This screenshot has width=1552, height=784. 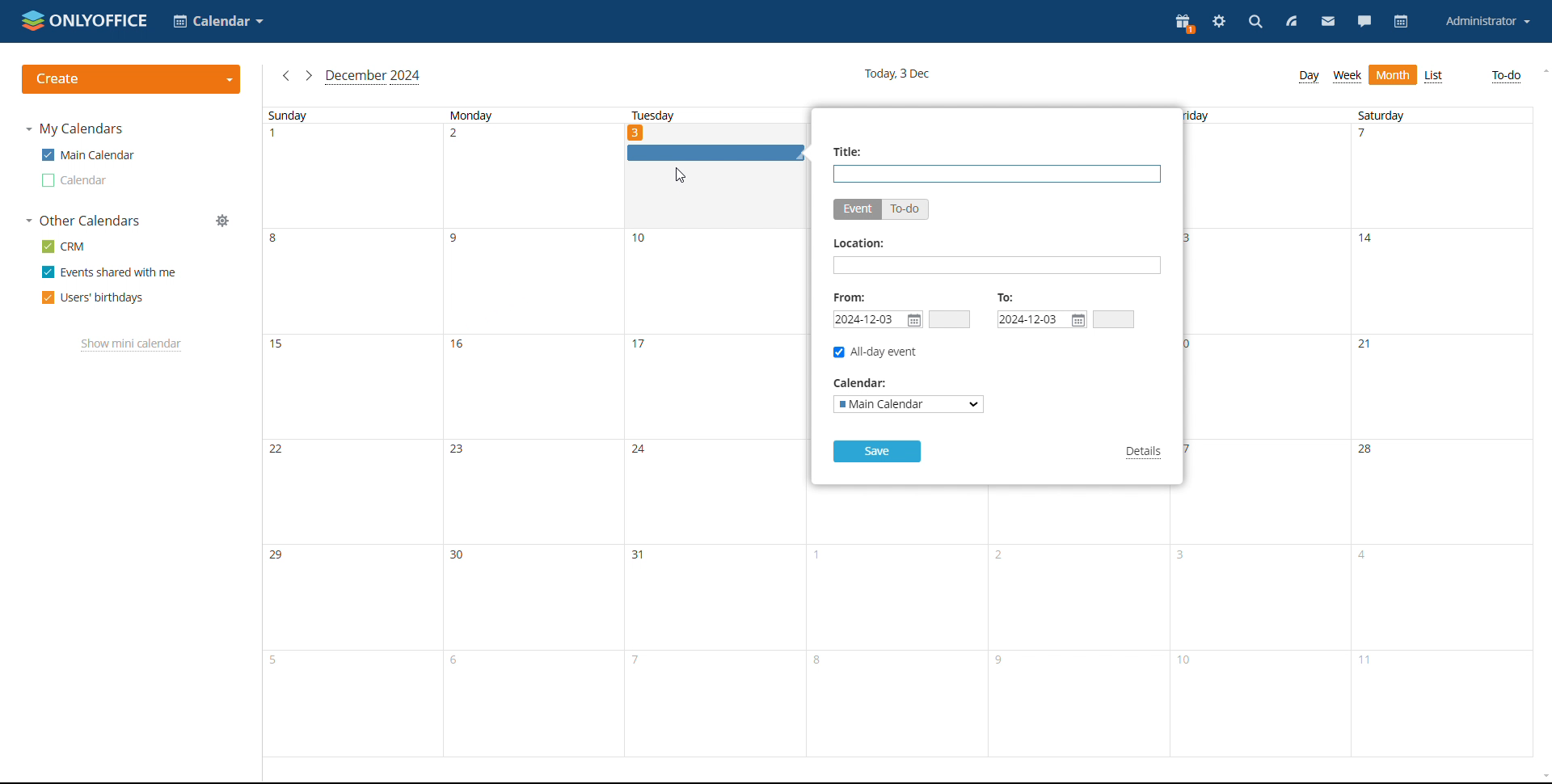 I want to click on list view, so click(x=1434, y=77).